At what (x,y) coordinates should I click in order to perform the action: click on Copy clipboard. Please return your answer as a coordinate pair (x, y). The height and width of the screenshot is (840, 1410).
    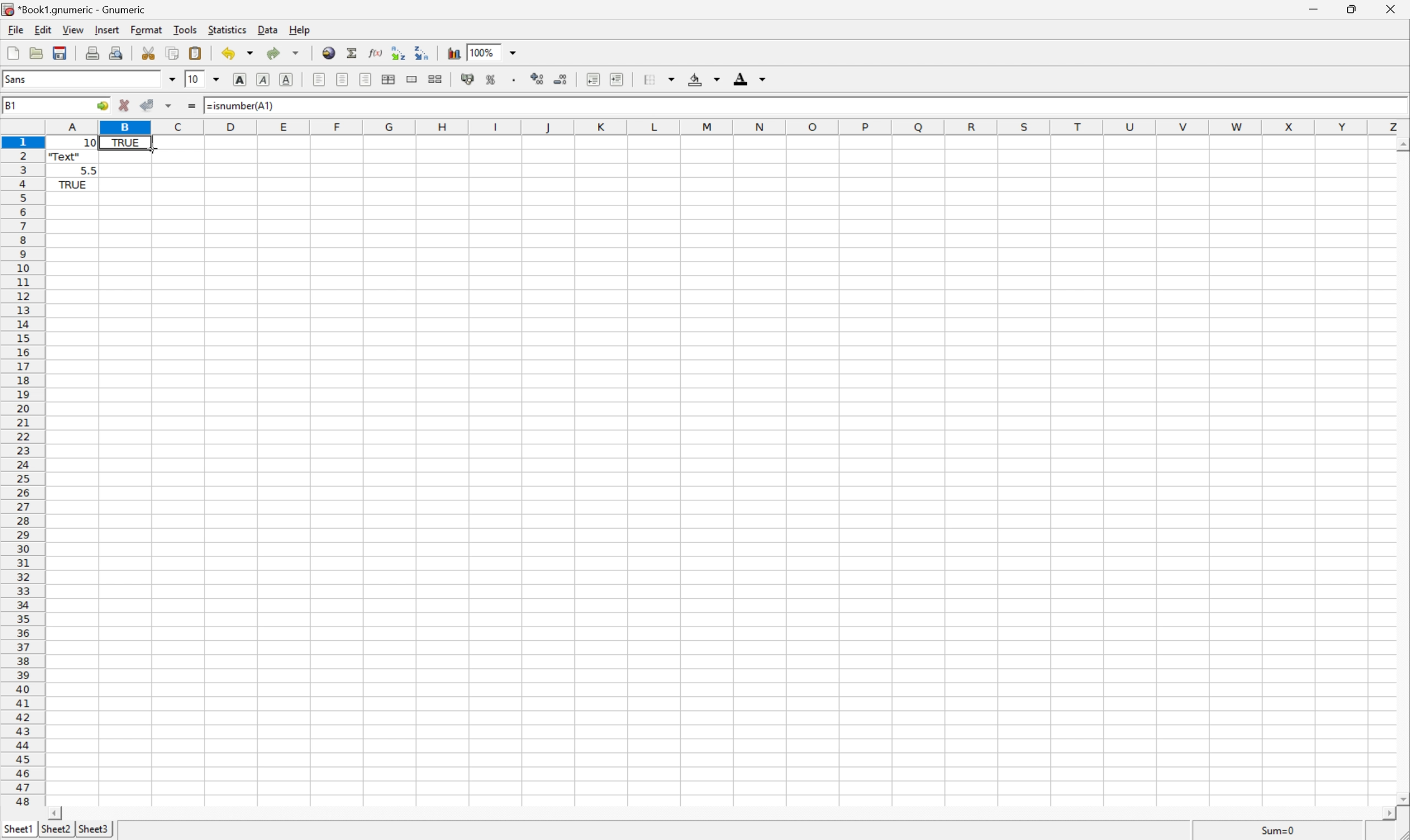
    Looking at the image, I should click on (173, 53).